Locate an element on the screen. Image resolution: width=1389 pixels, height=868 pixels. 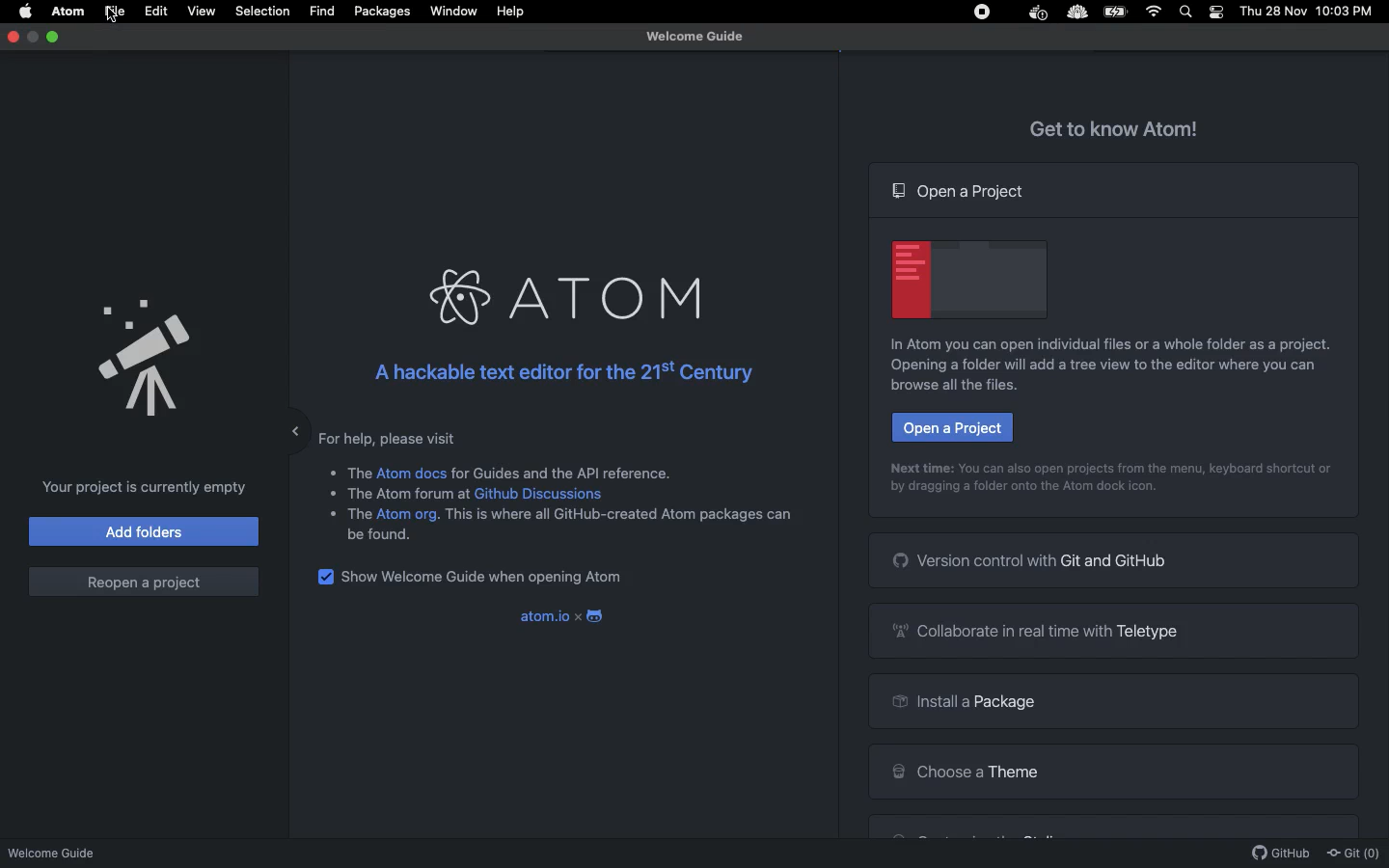
Welcome guide is located at coordinates (694, 37).